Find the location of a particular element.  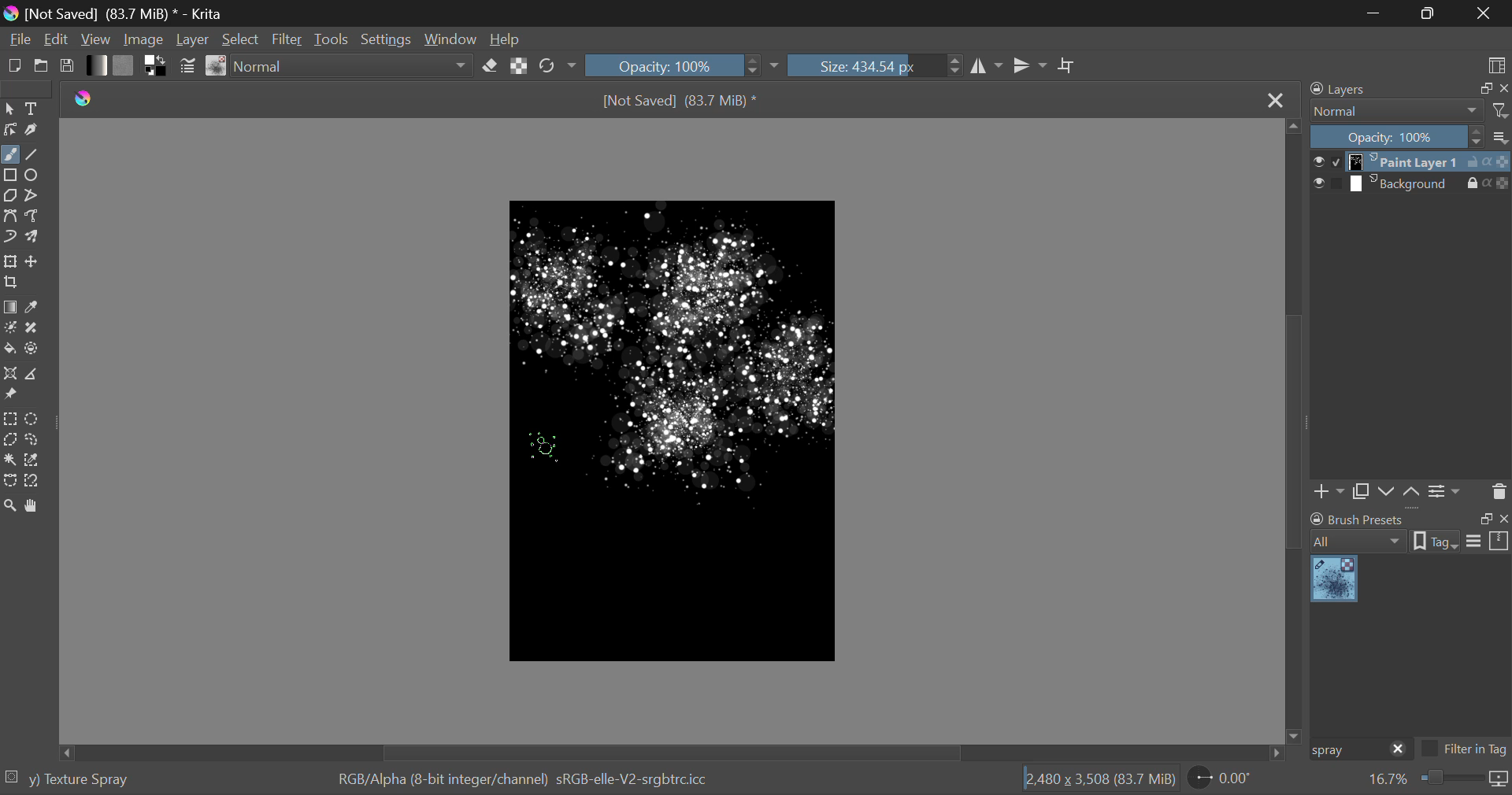

Scroll Bar is located at coordinates (676, 752).